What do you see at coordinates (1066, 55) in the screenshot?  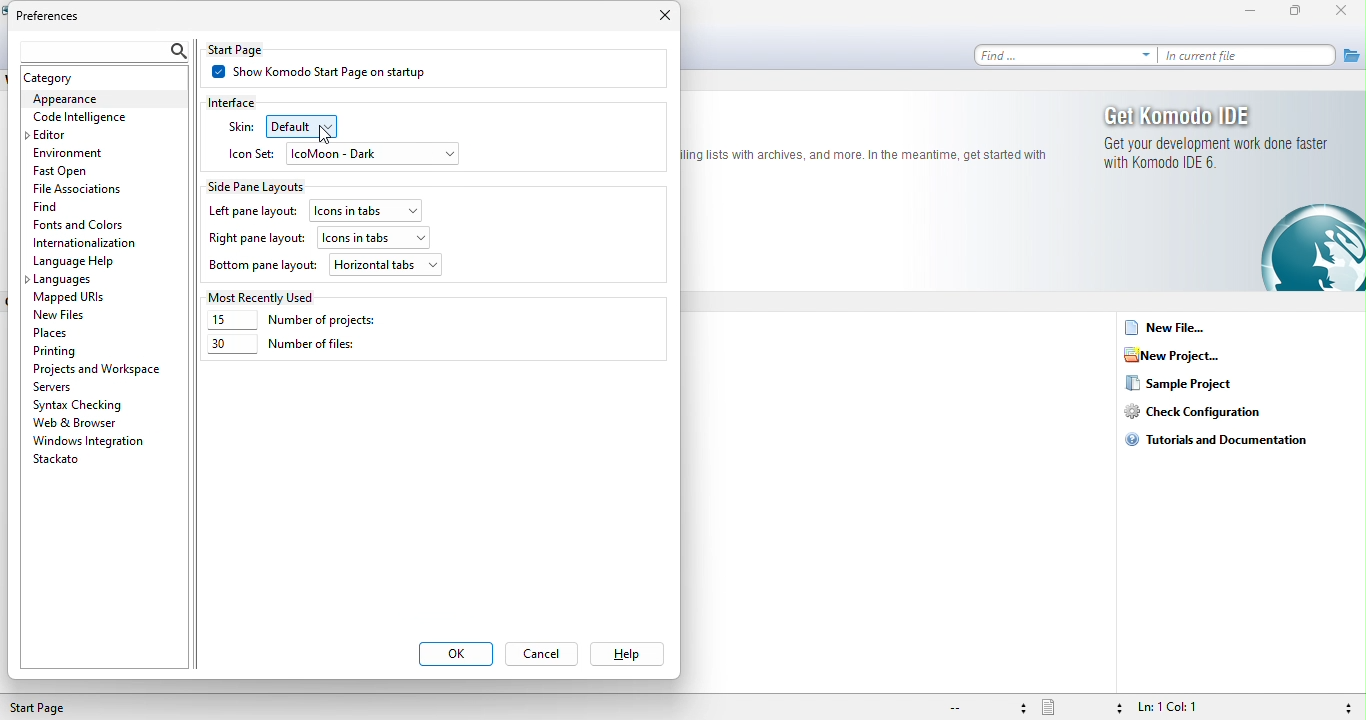 I see `find` at bounding box center [1066, 55].